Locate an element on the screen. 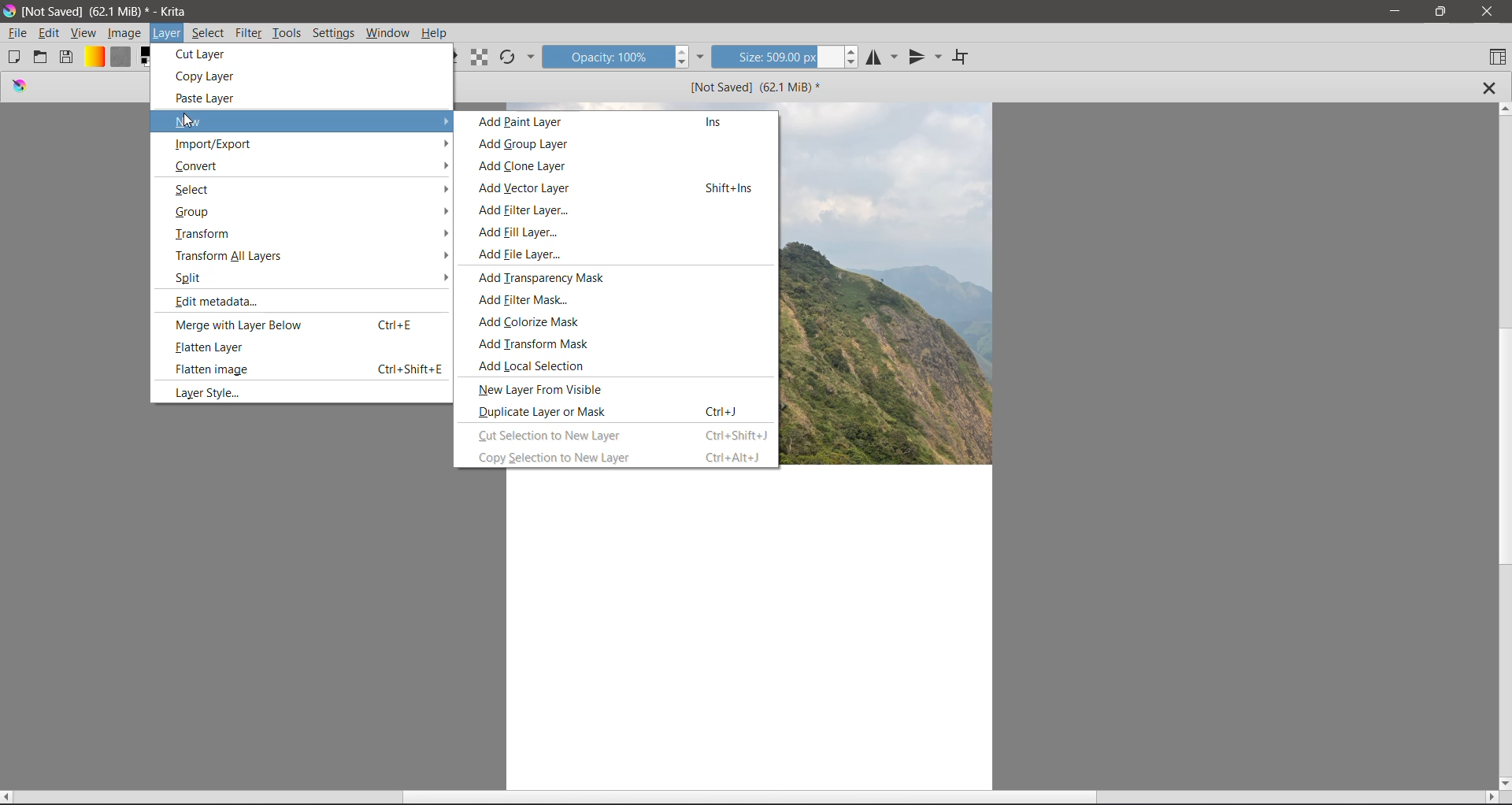  Merge with Layer Below is located at coordinates (295, 325).